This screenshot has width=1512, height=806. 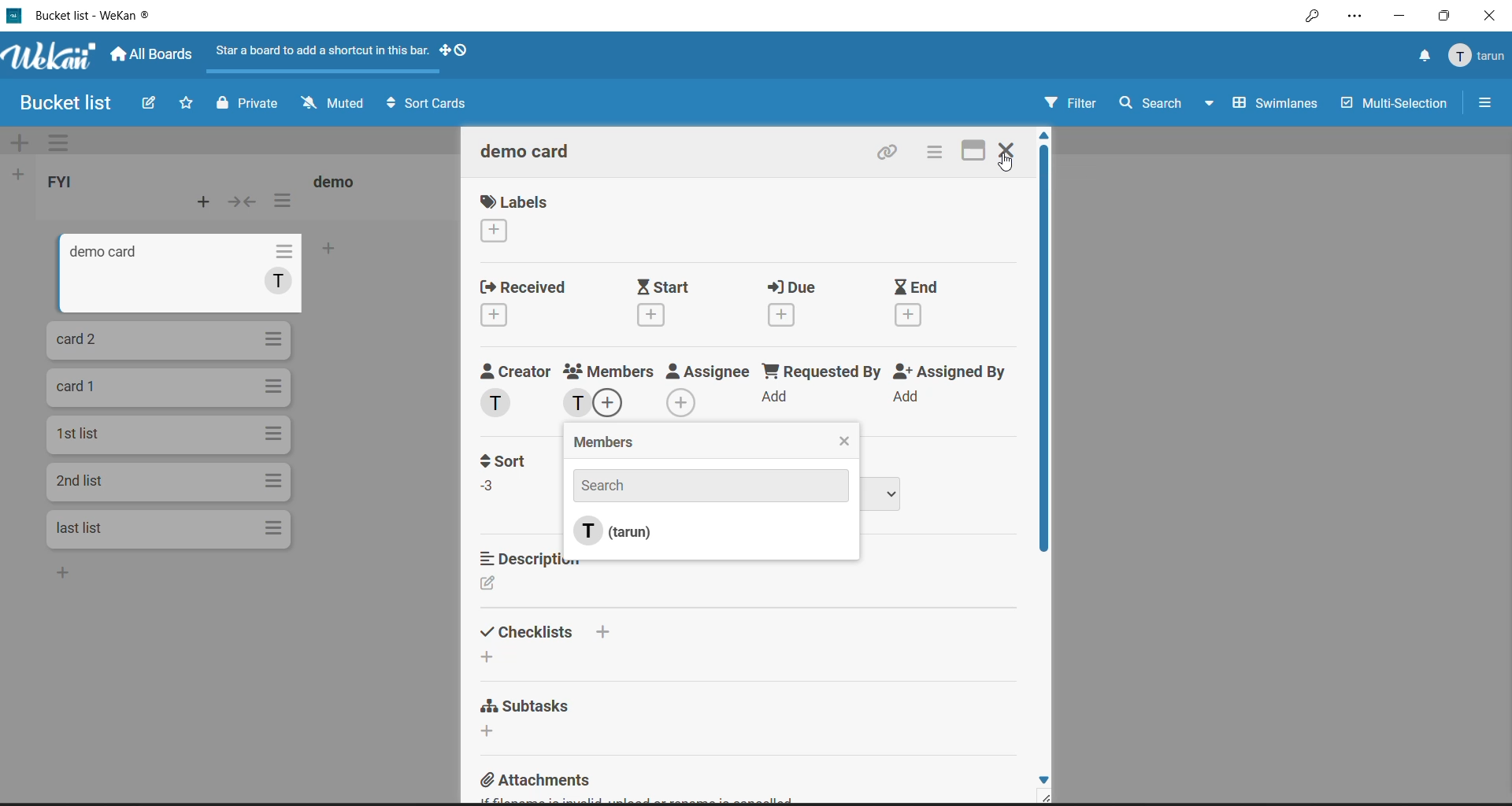 I want to click on close subwindow, so click(x=847, y=439).